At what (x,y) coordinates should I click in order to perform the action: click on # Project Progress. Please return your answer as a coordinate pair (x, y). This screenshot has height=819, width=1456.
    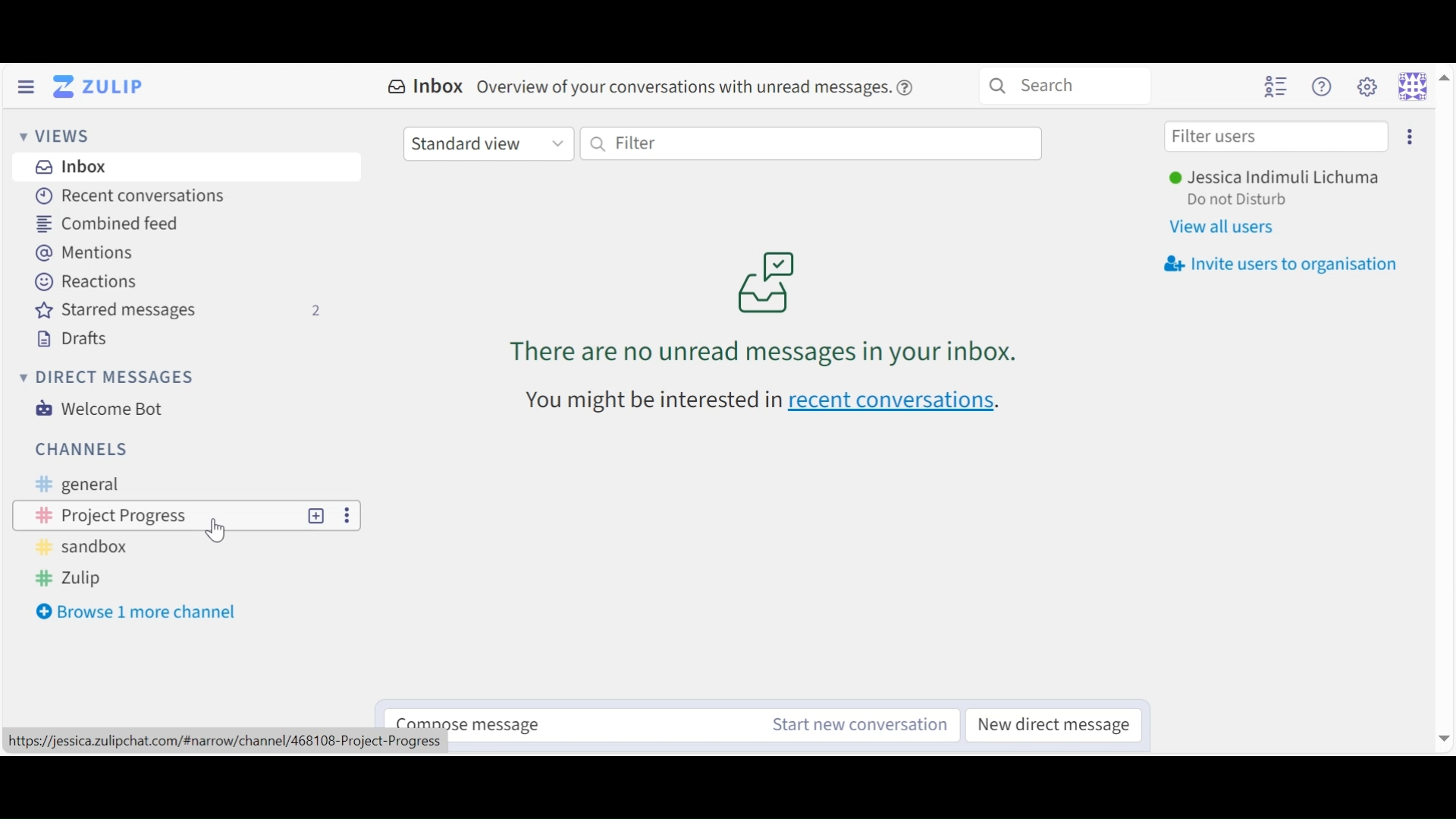
    Looking at the image, I should click on (107, 515).